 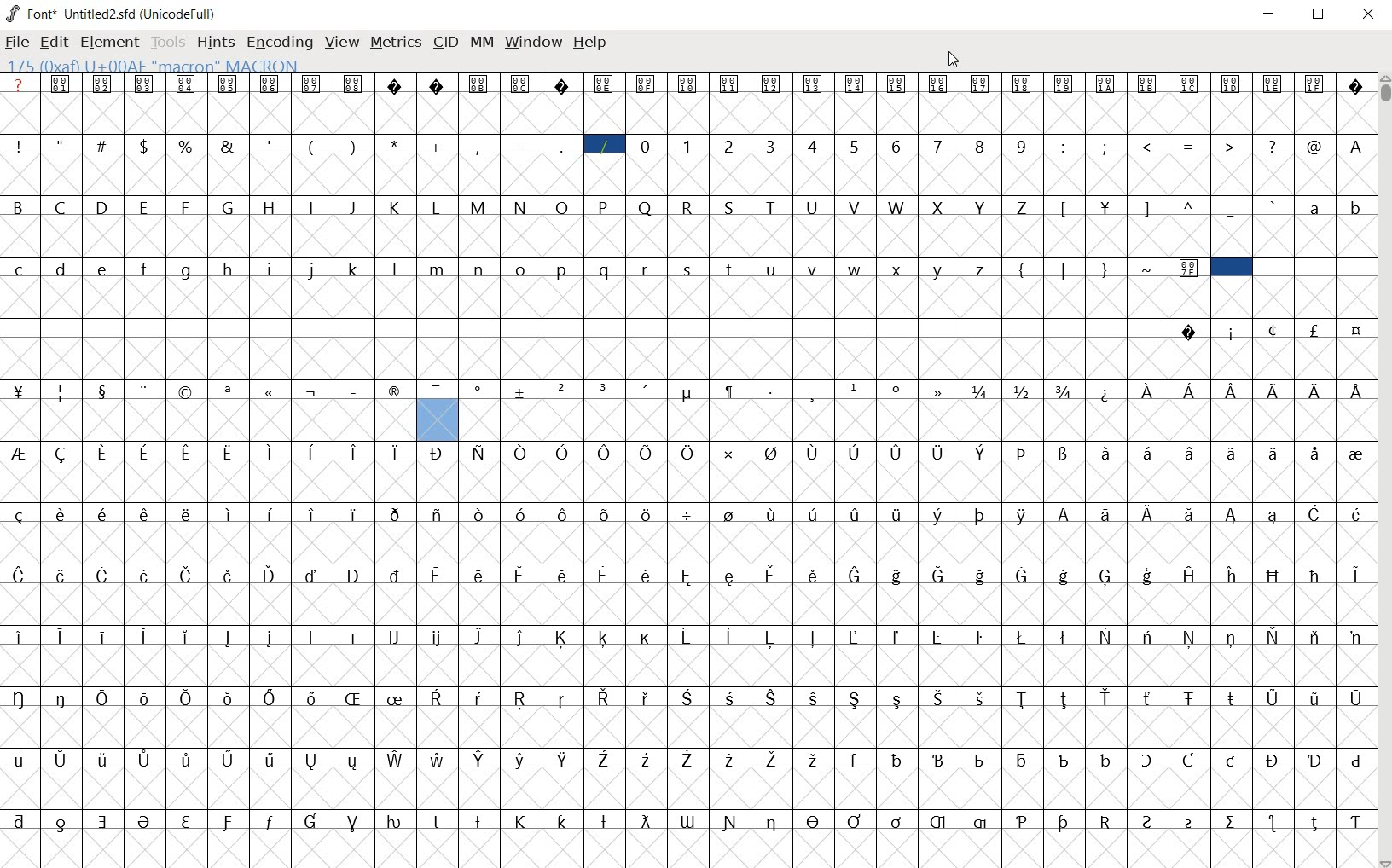 What do you see at coordinates (1314, 512) in the screenshot?
I see `Symbol` at bounding box center [1314, 512].